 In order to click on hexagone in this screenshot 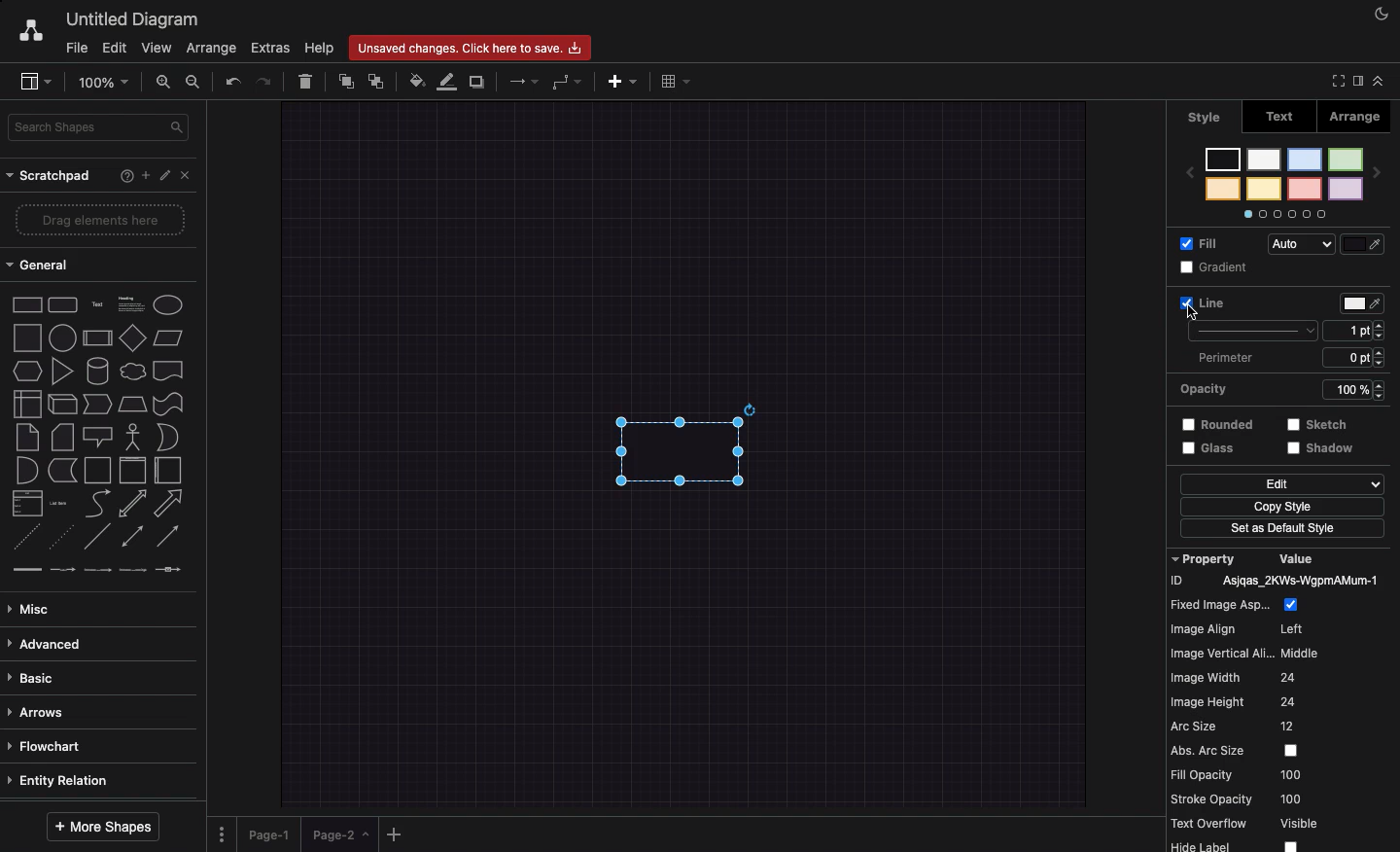, I will do `click(26, 369)`.